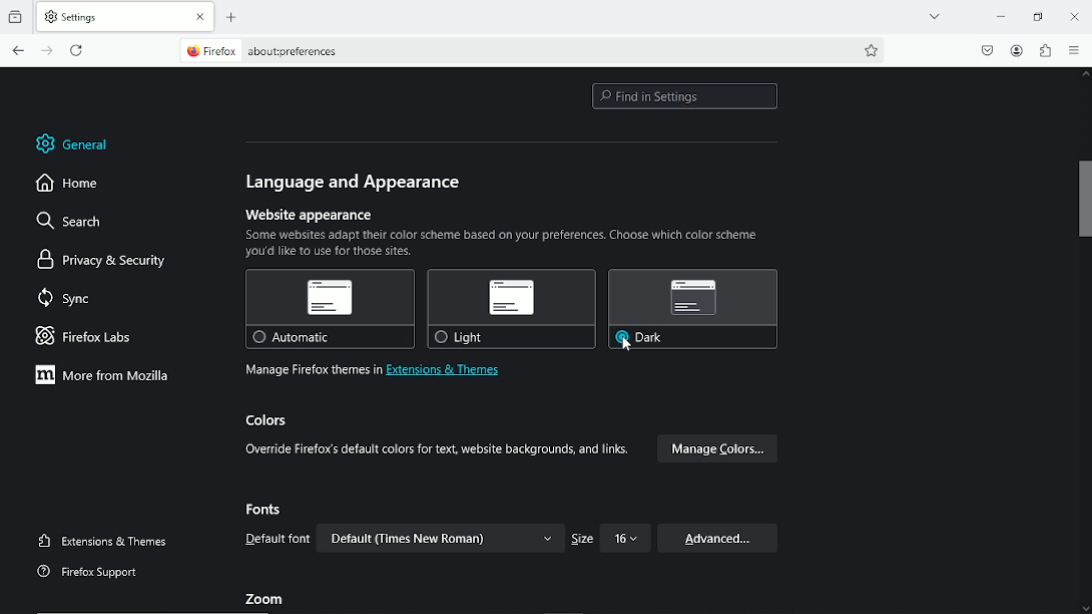 The width and height of the screenshot is (1092, 614). I want to click on minimize, so click(999, 16).